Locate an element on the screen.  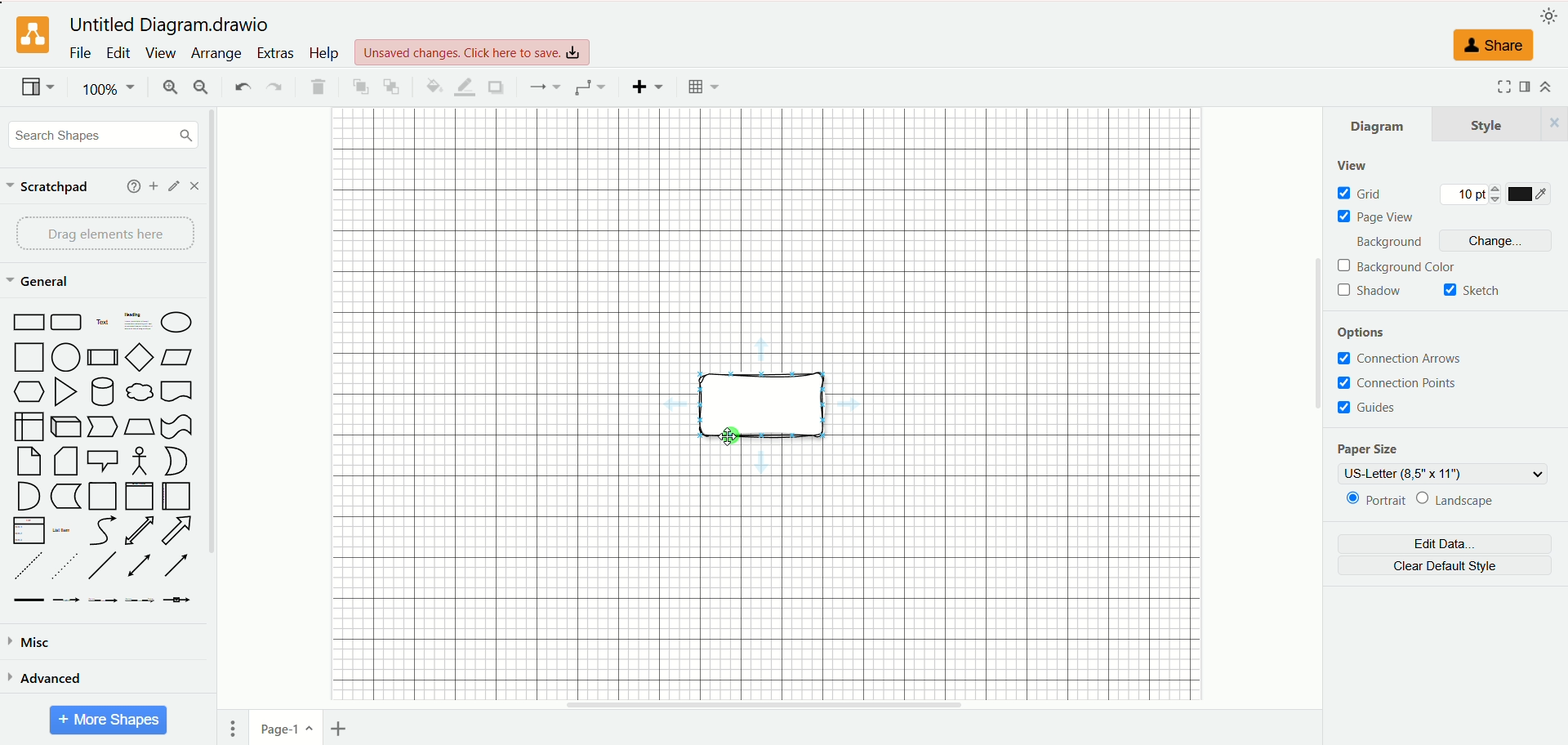
drag elements here is located at coordinates (107, 234).